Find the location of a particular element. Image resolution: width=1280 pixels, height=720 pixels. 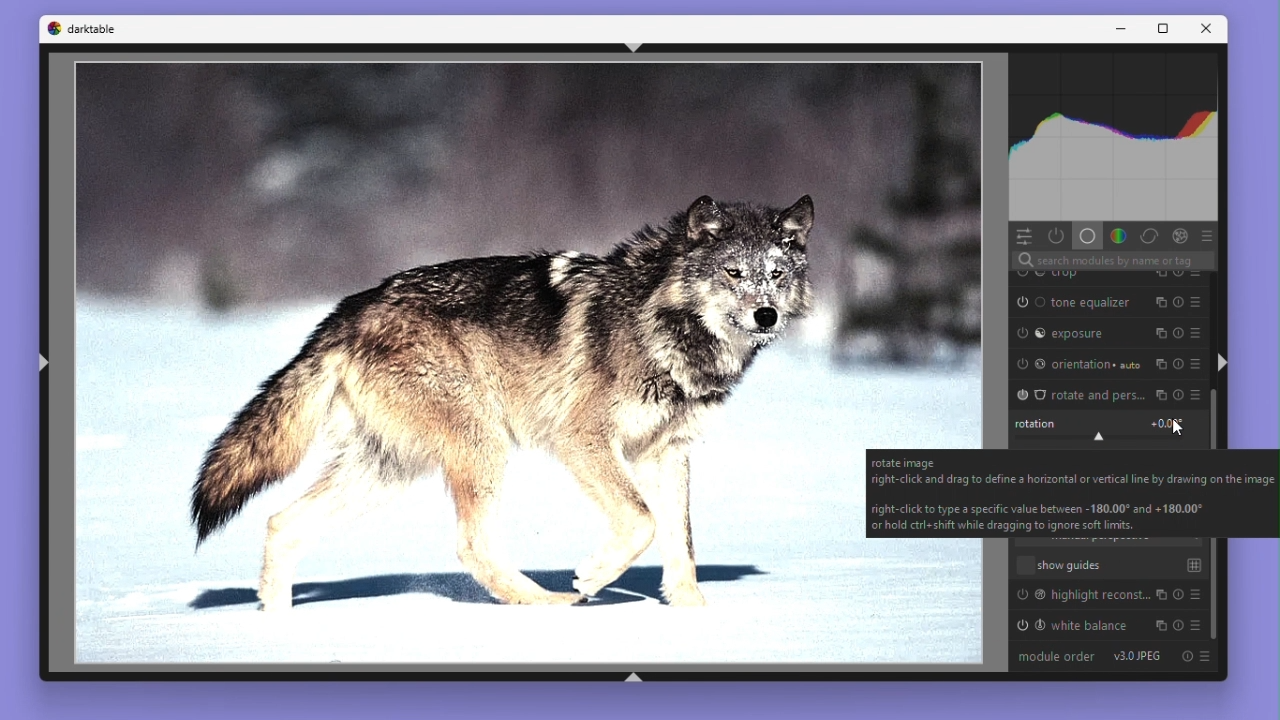

Shift + ctrl + t is located at coordinates (633, 47).